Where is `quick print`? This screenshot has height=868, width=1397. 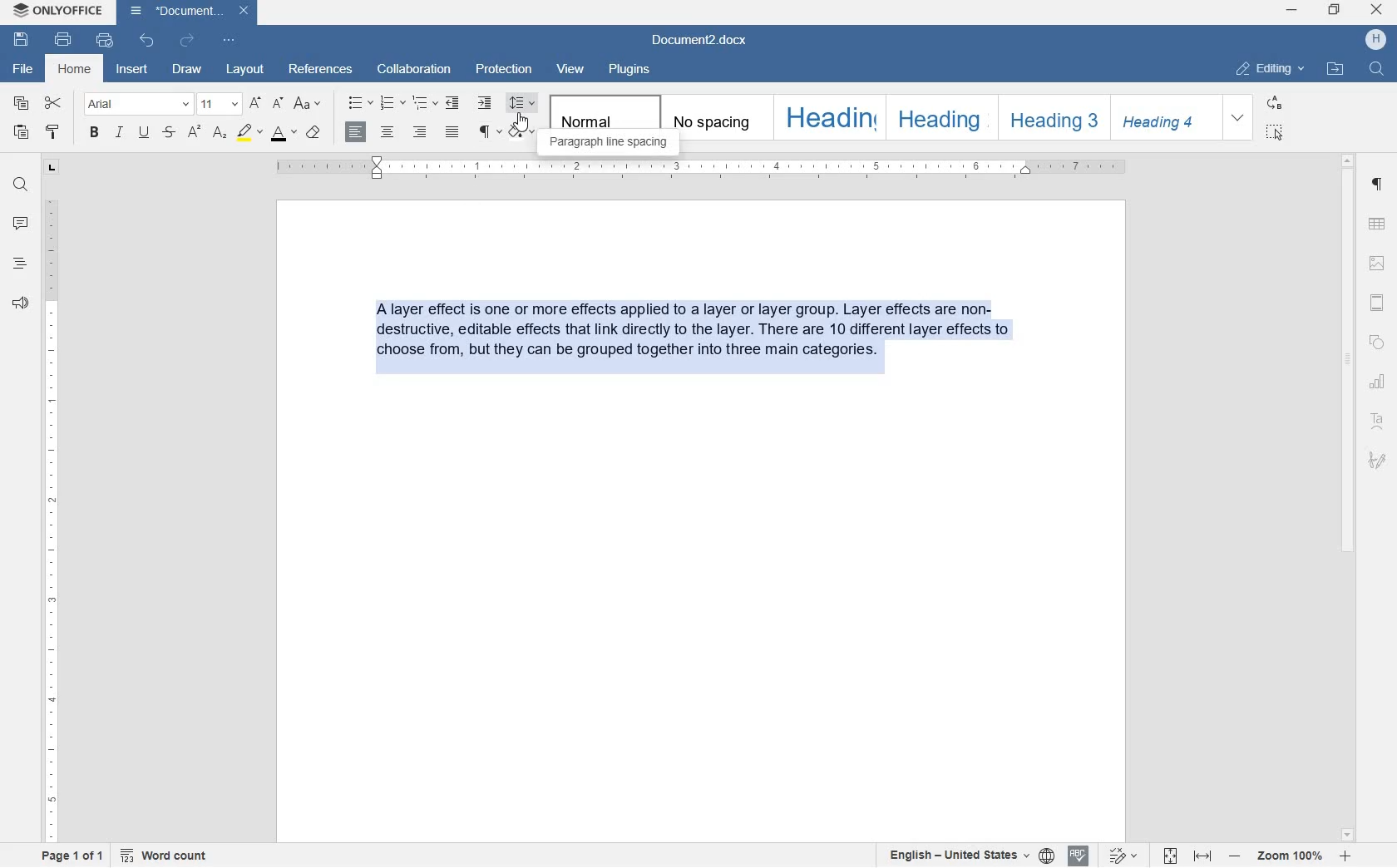
quick print is located at coordinates (104, 43).